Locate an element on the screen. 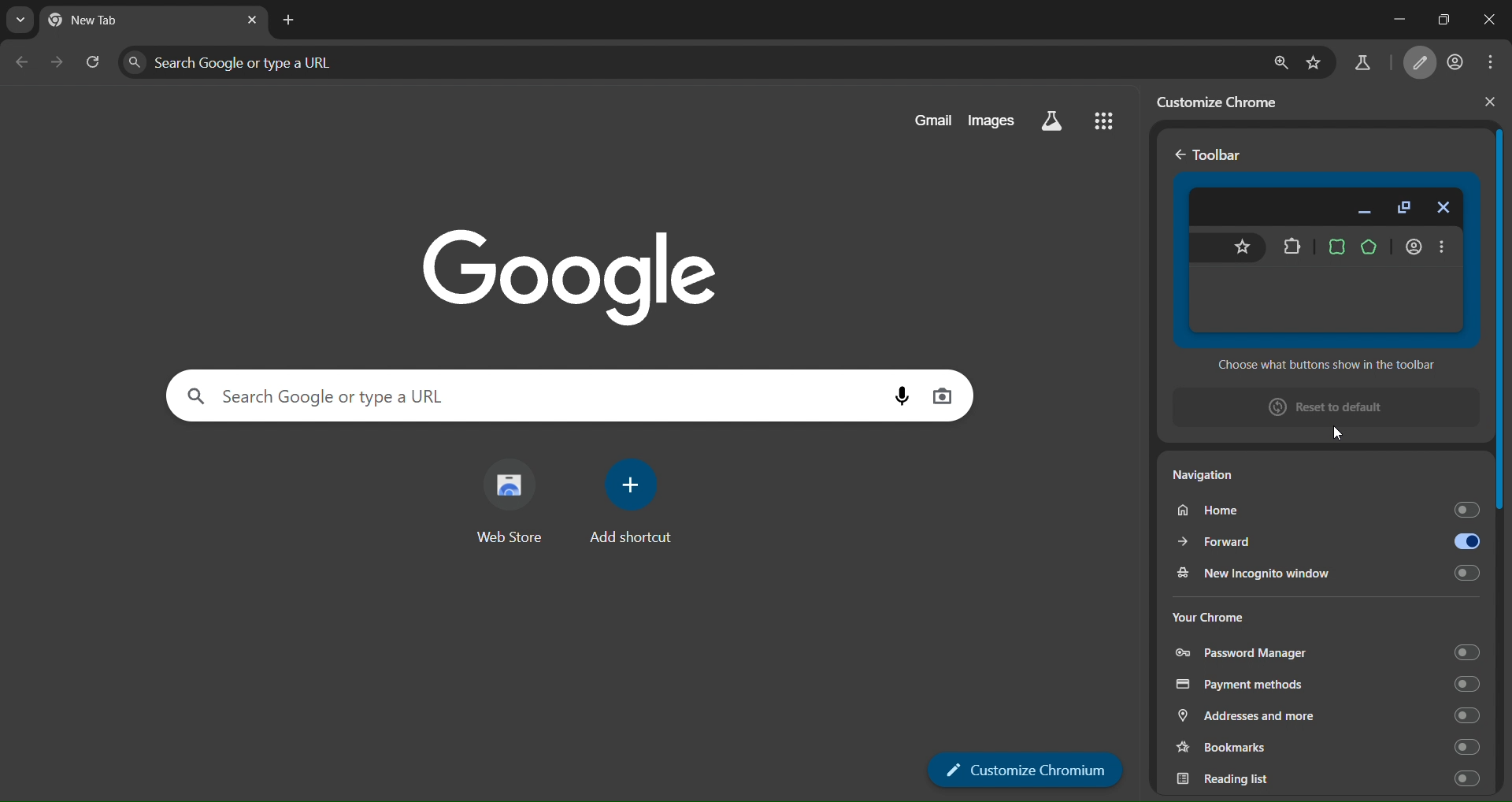 This screenshot has width=1512, height=802. Search Google or type a URL is located at coordinates (532, 395).